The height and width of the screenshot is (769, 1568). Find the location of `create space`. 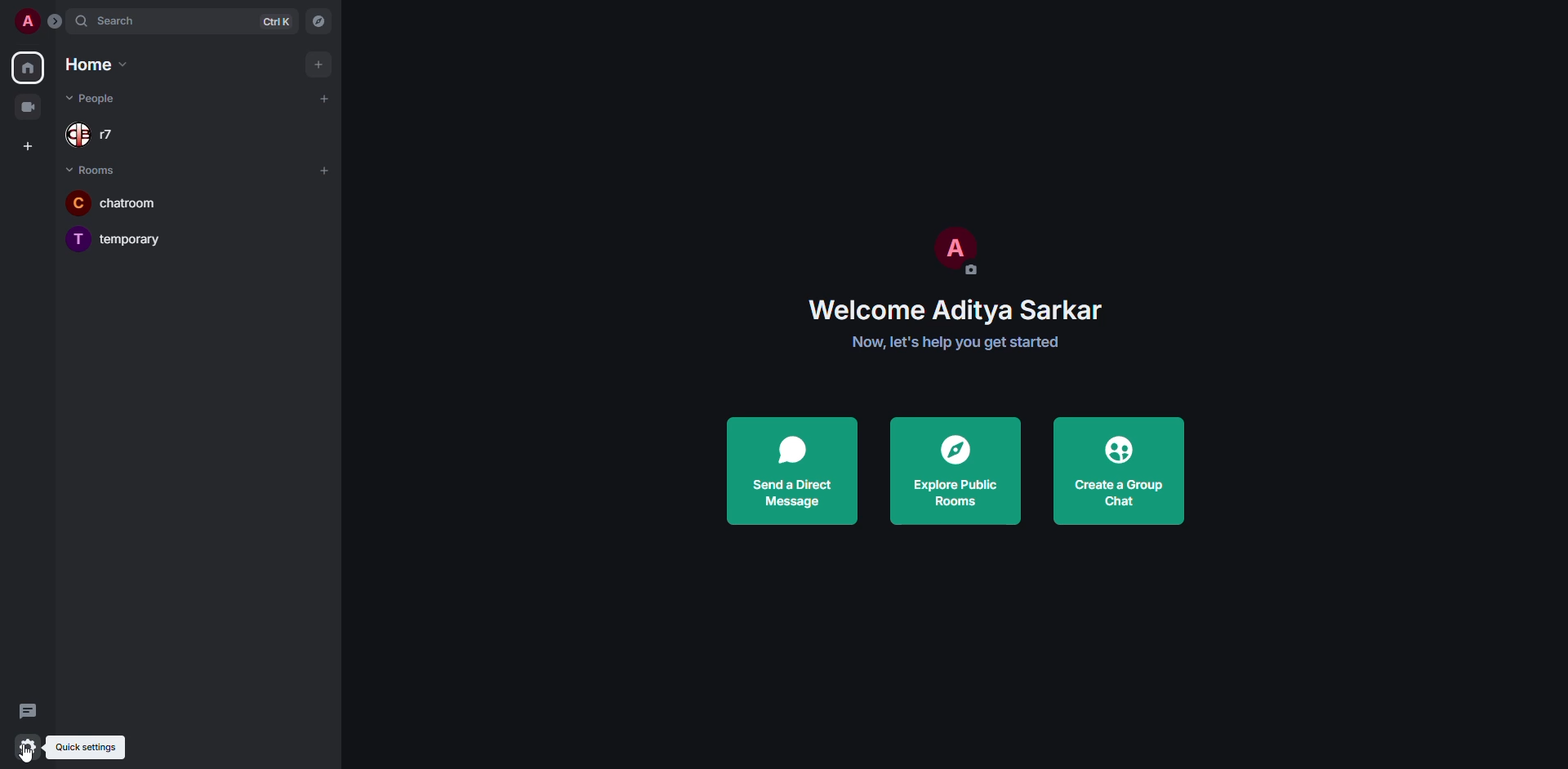

create space is located at coordinates (30, 145).